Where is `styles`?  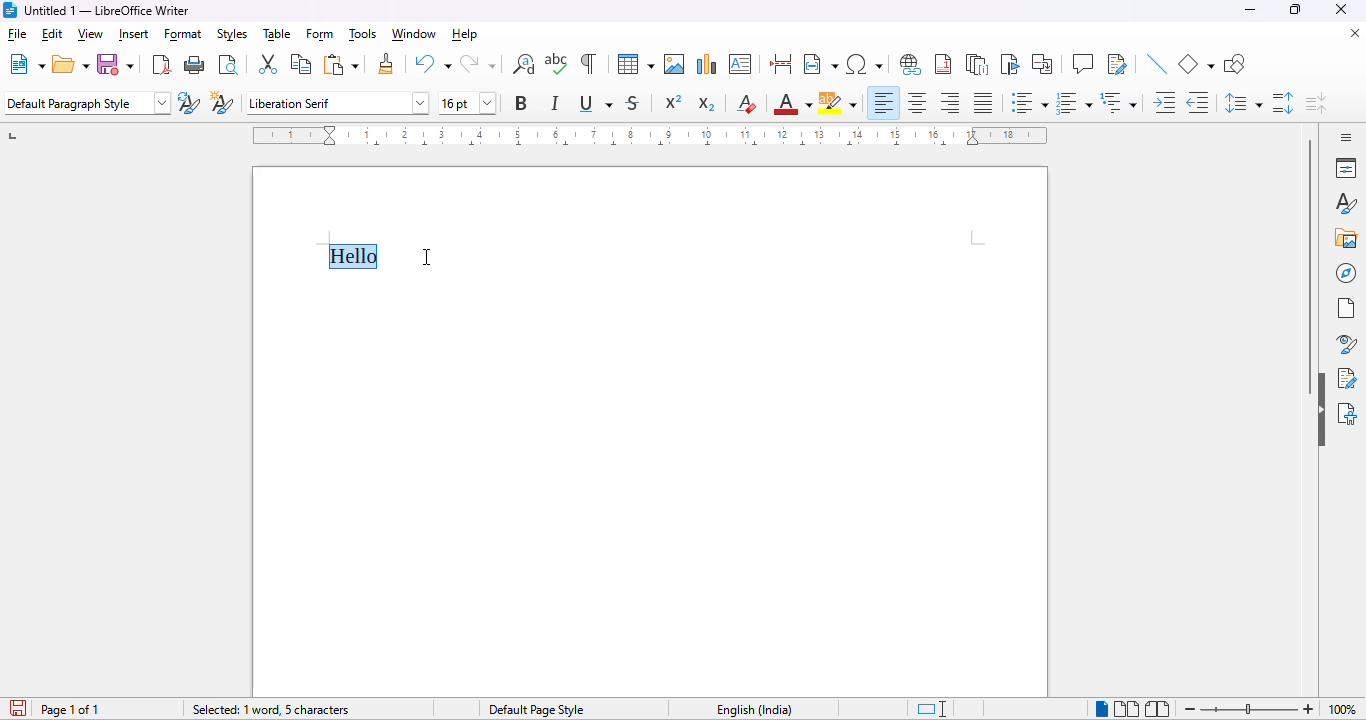
styles is located at coordinates (1346, 204).